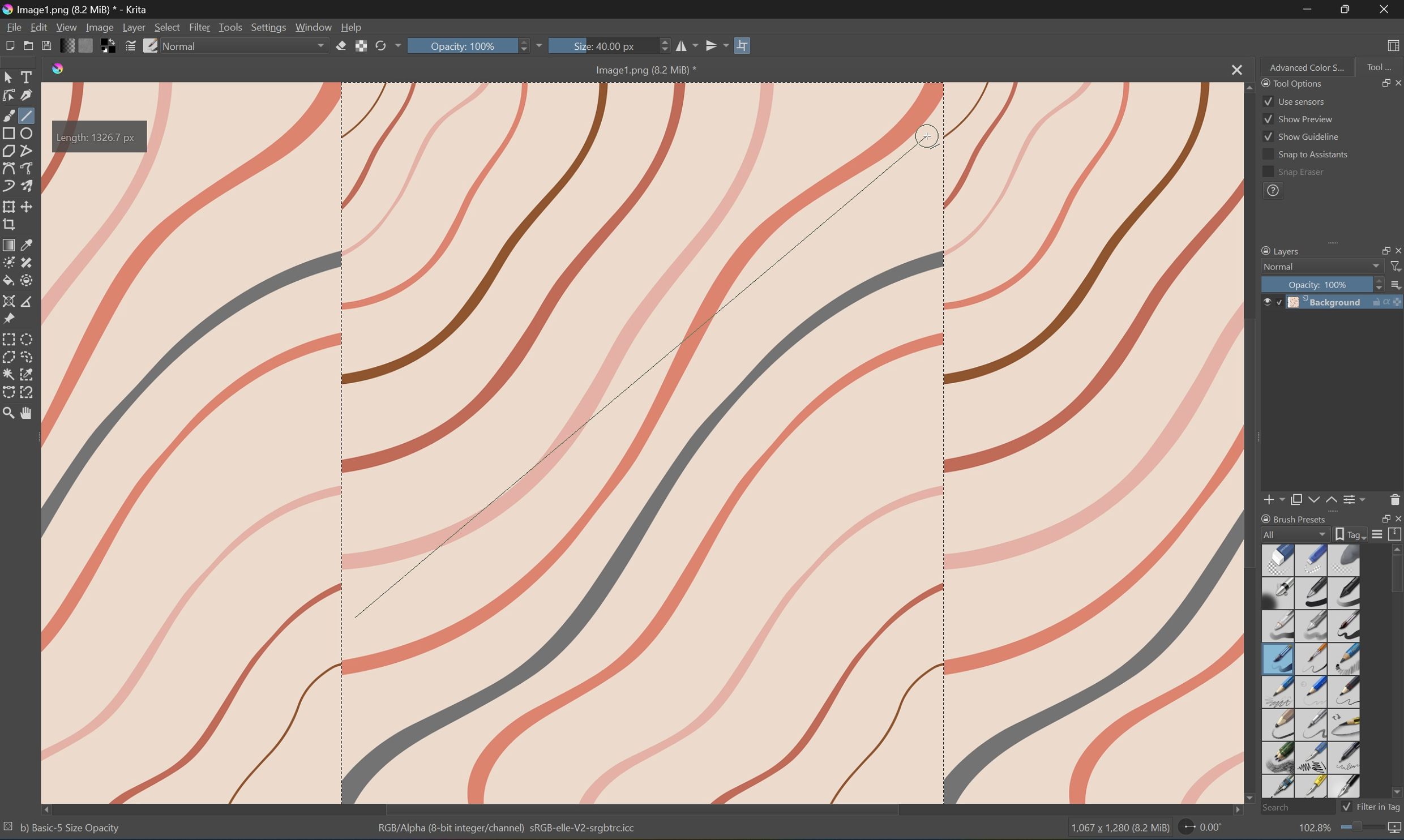 This screenshot has height=840, width=1404. I want to click on Scroll Down, so click(1395, 792).